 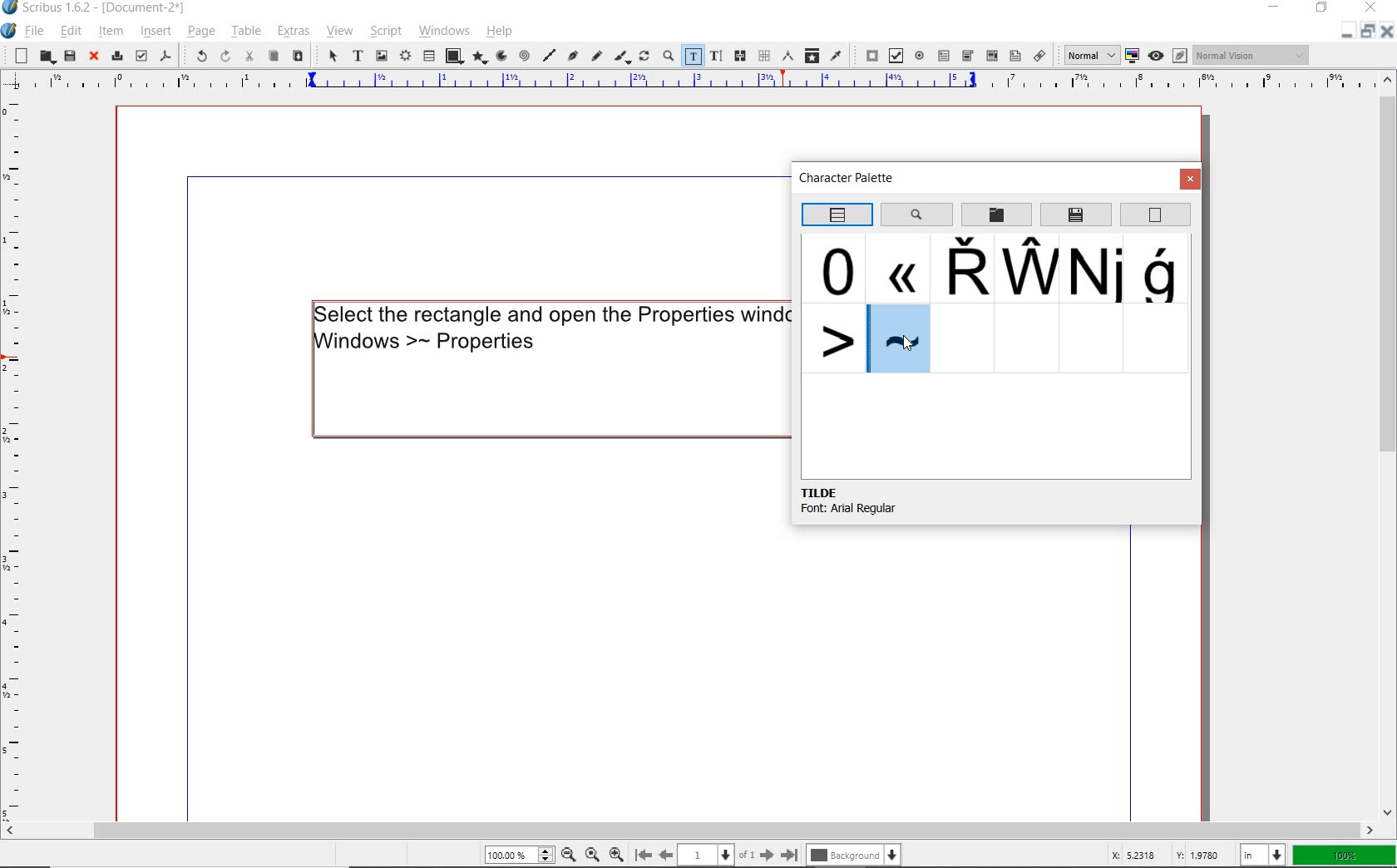 What do you see at coordinates (699, 827) in the screenshot?
I see `Scroll Bar` at bounding box center [699, 827].